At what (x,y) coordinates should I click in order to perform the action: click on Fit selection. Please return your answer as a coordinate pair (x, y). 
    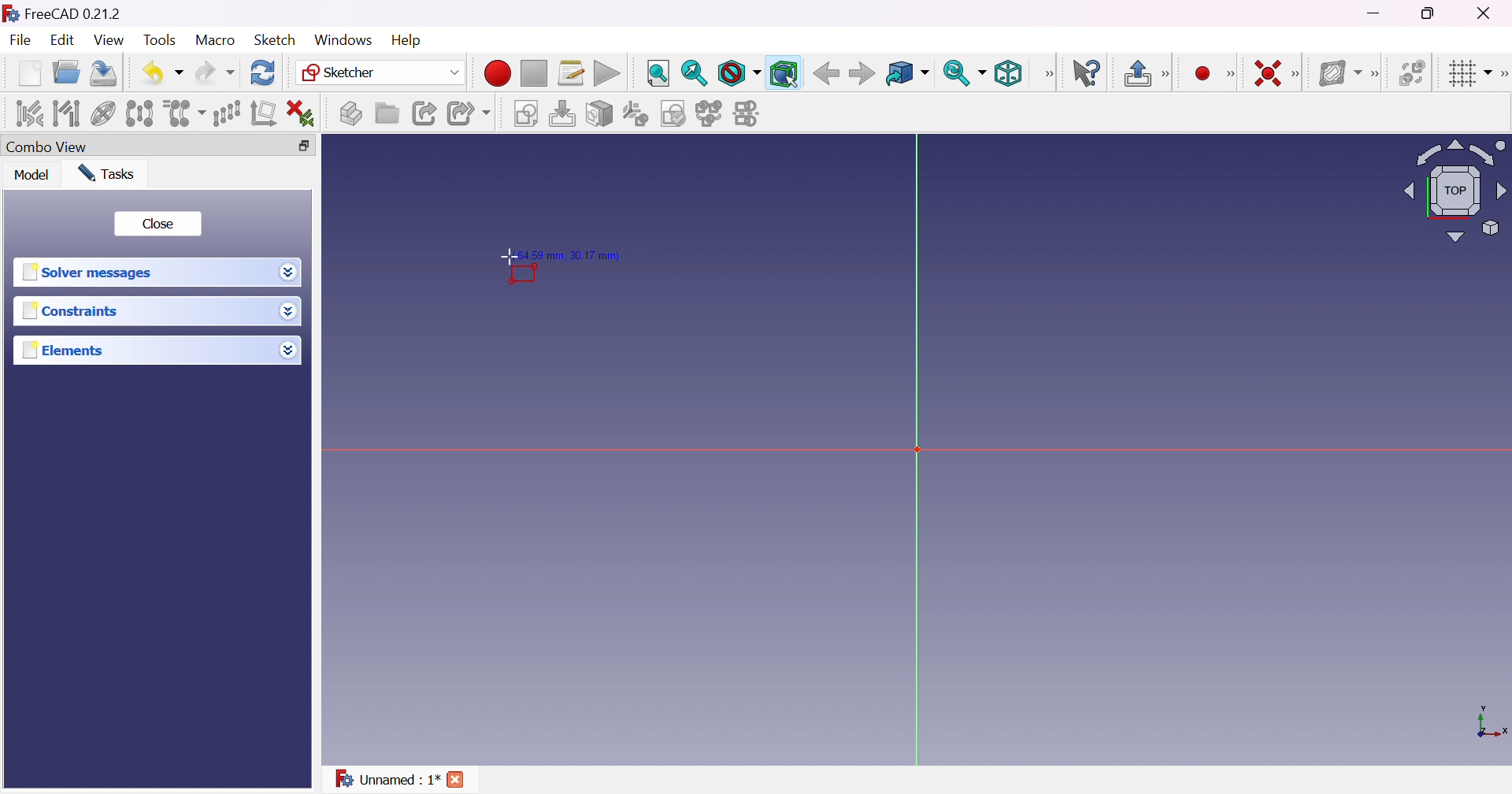
    Looking at the image, I should click on (694, 73).